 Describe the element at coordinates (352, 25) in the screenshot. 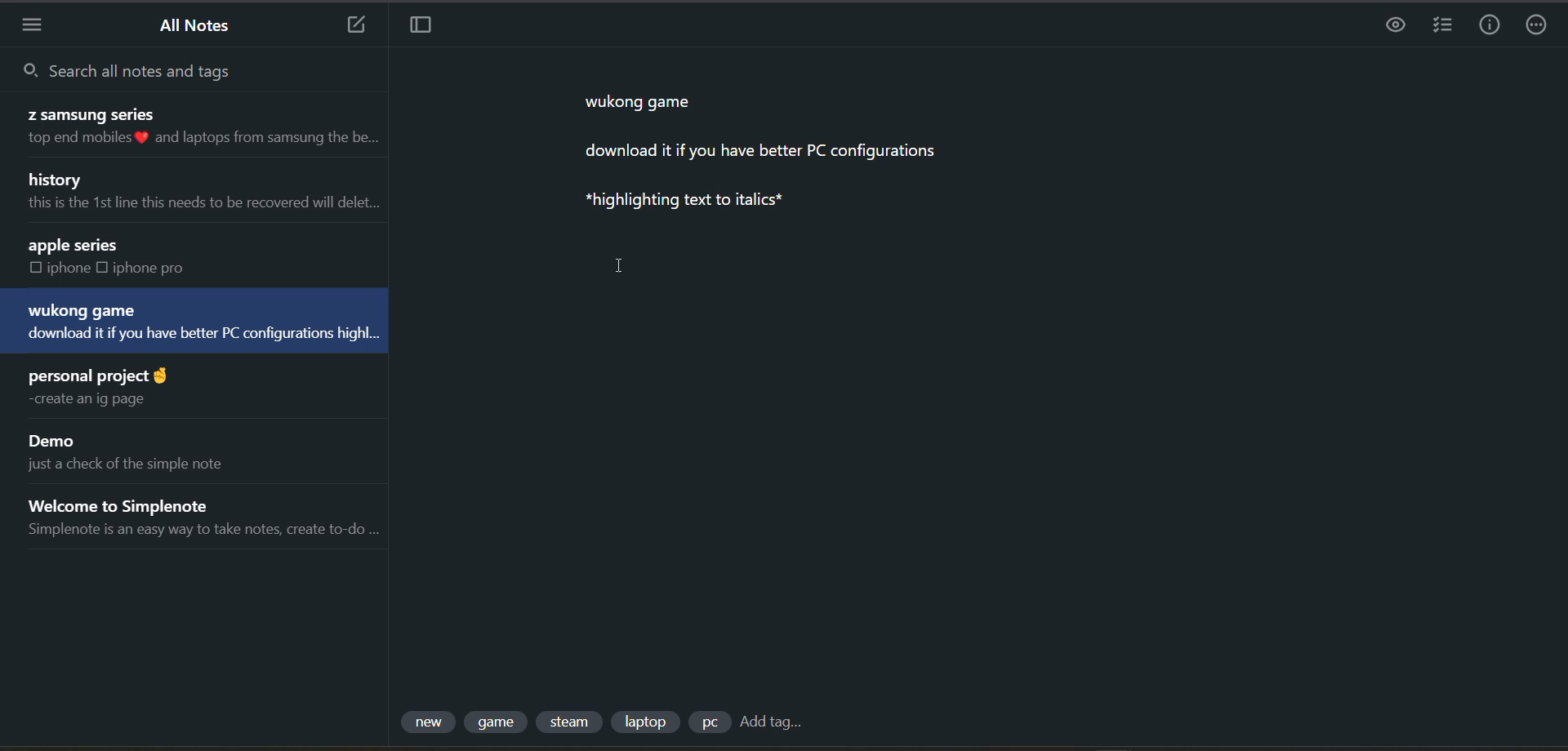

I see `new note` at that location.